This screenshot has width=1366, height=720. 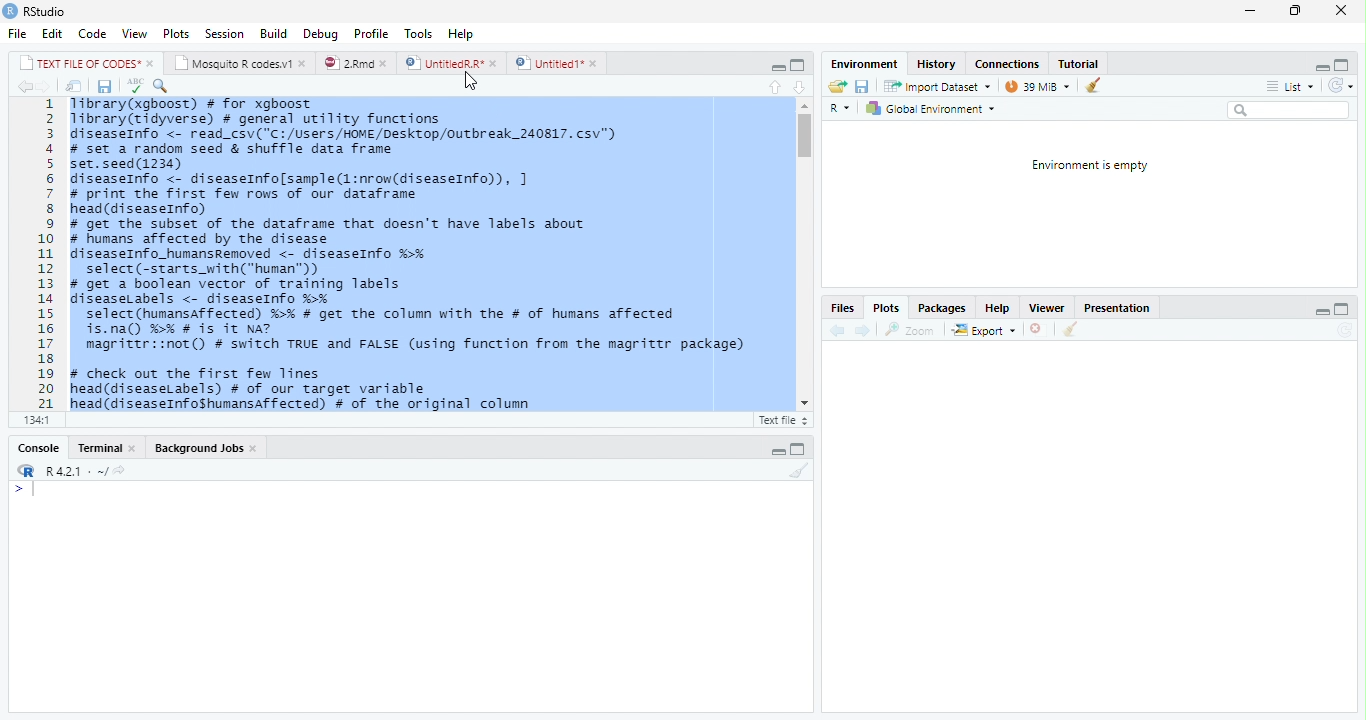 What do you see at coordinates (911, 328) in the screenshot?
I see `Zoom` at bounding box center [911, 328].